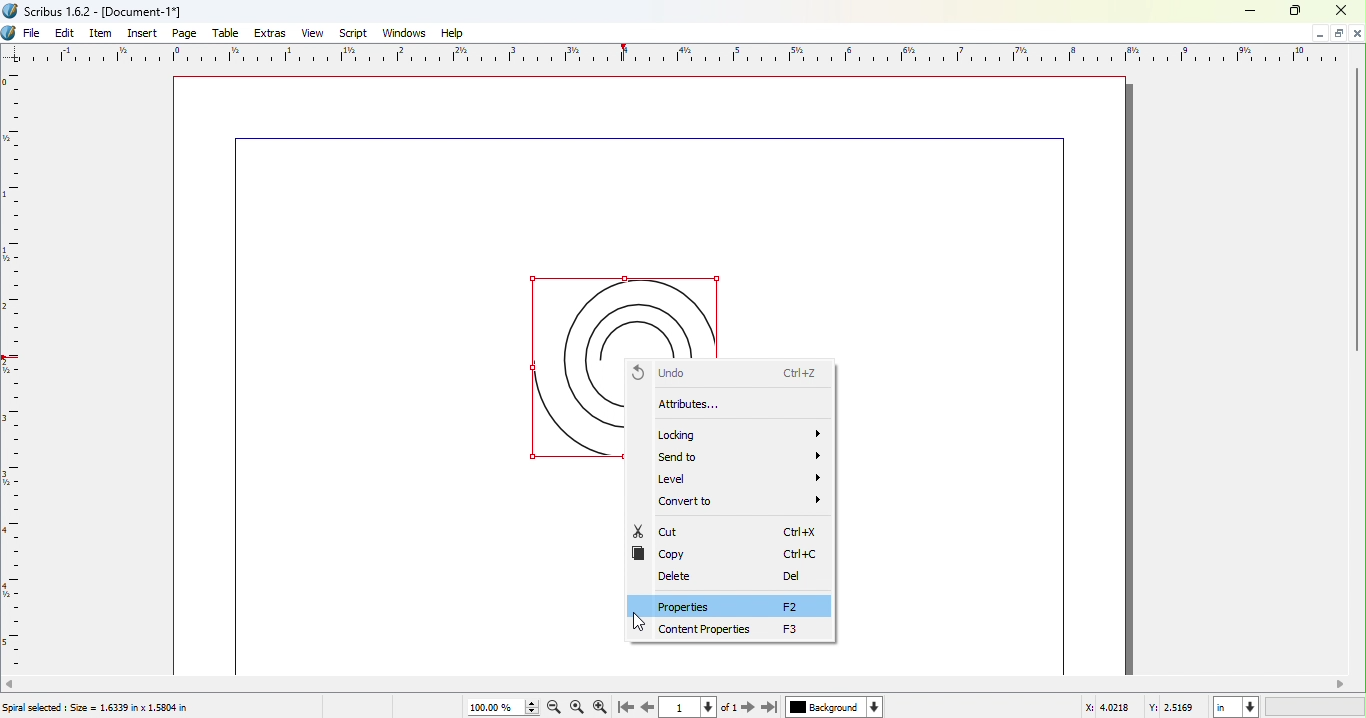  I want to click on File, so click(32, 32).